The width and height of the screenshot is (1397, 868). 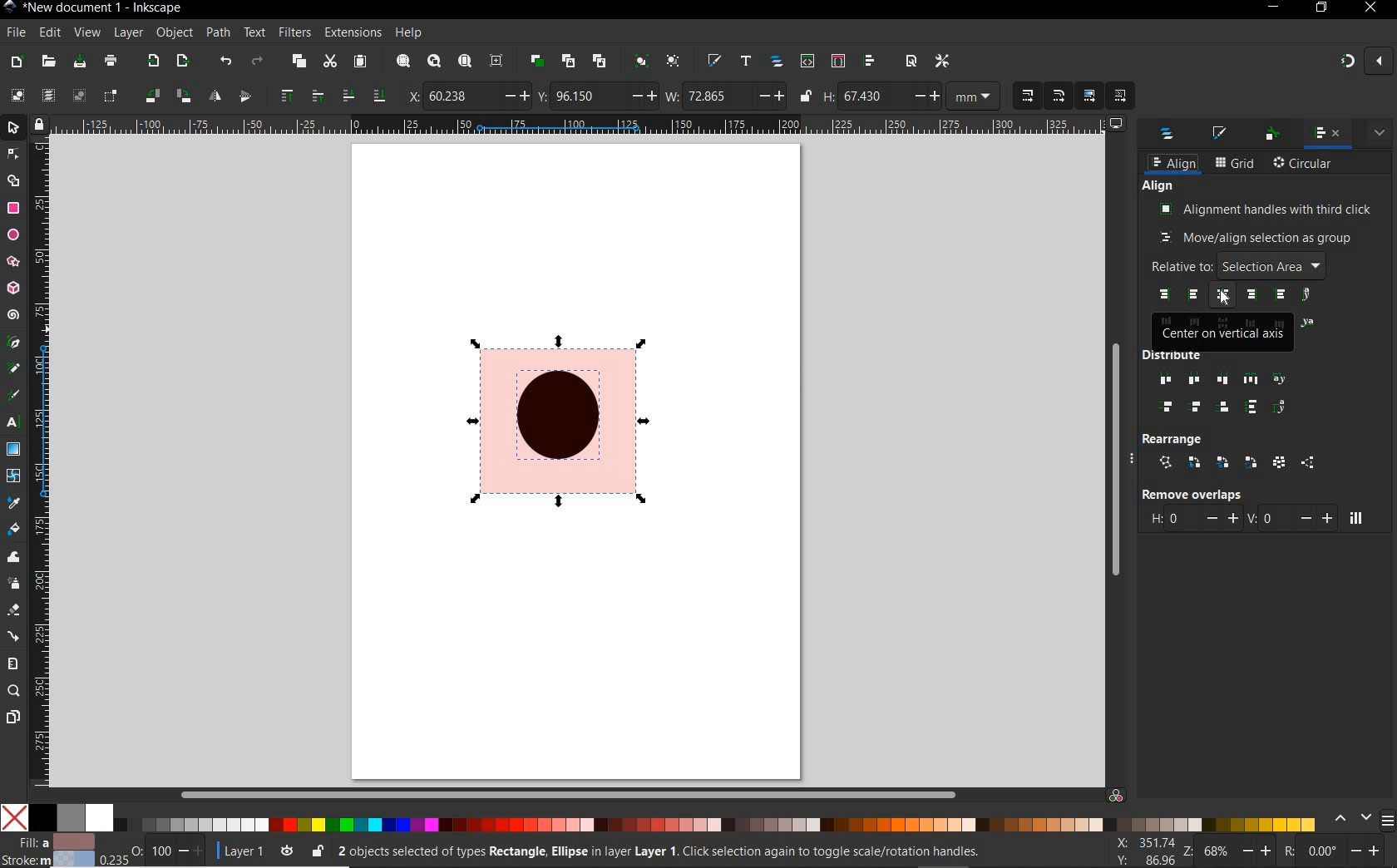 I want to click on xy coordinates, so click(x=1150, y=852).